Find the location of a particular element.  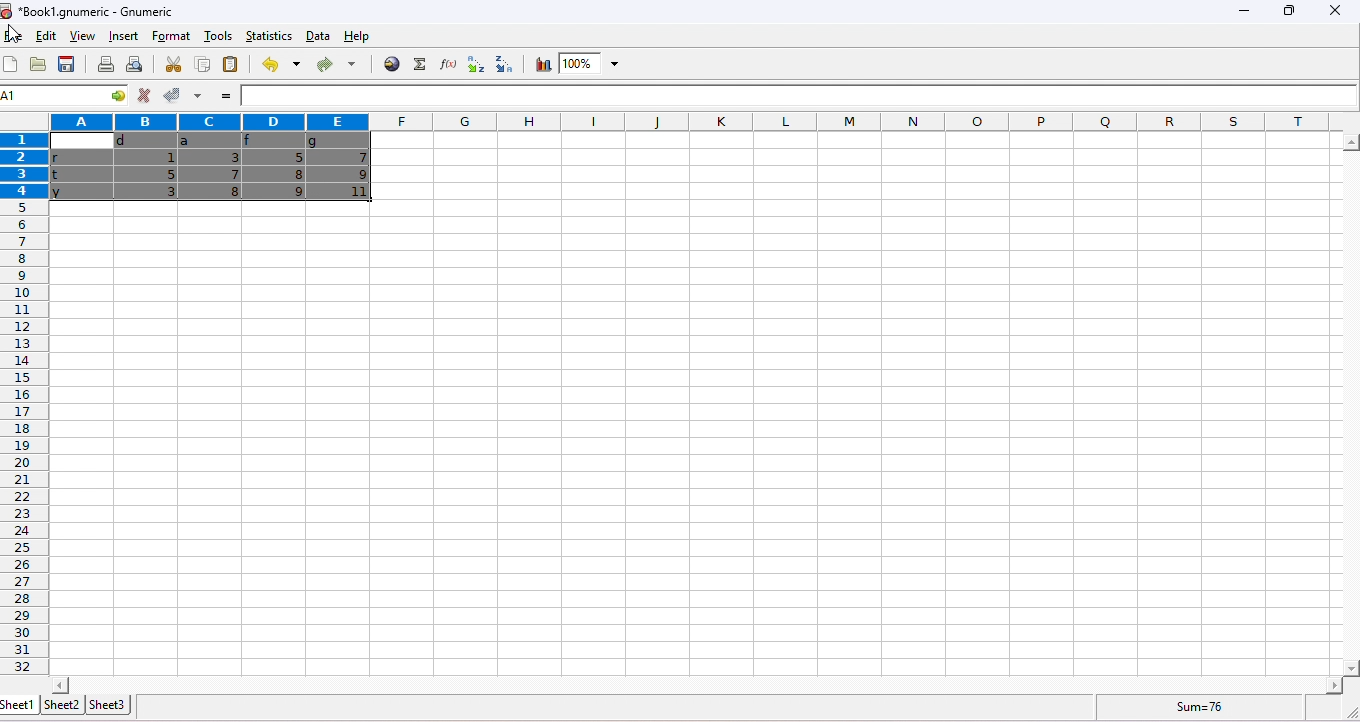

sort descending is located at coordinates (500, 64).